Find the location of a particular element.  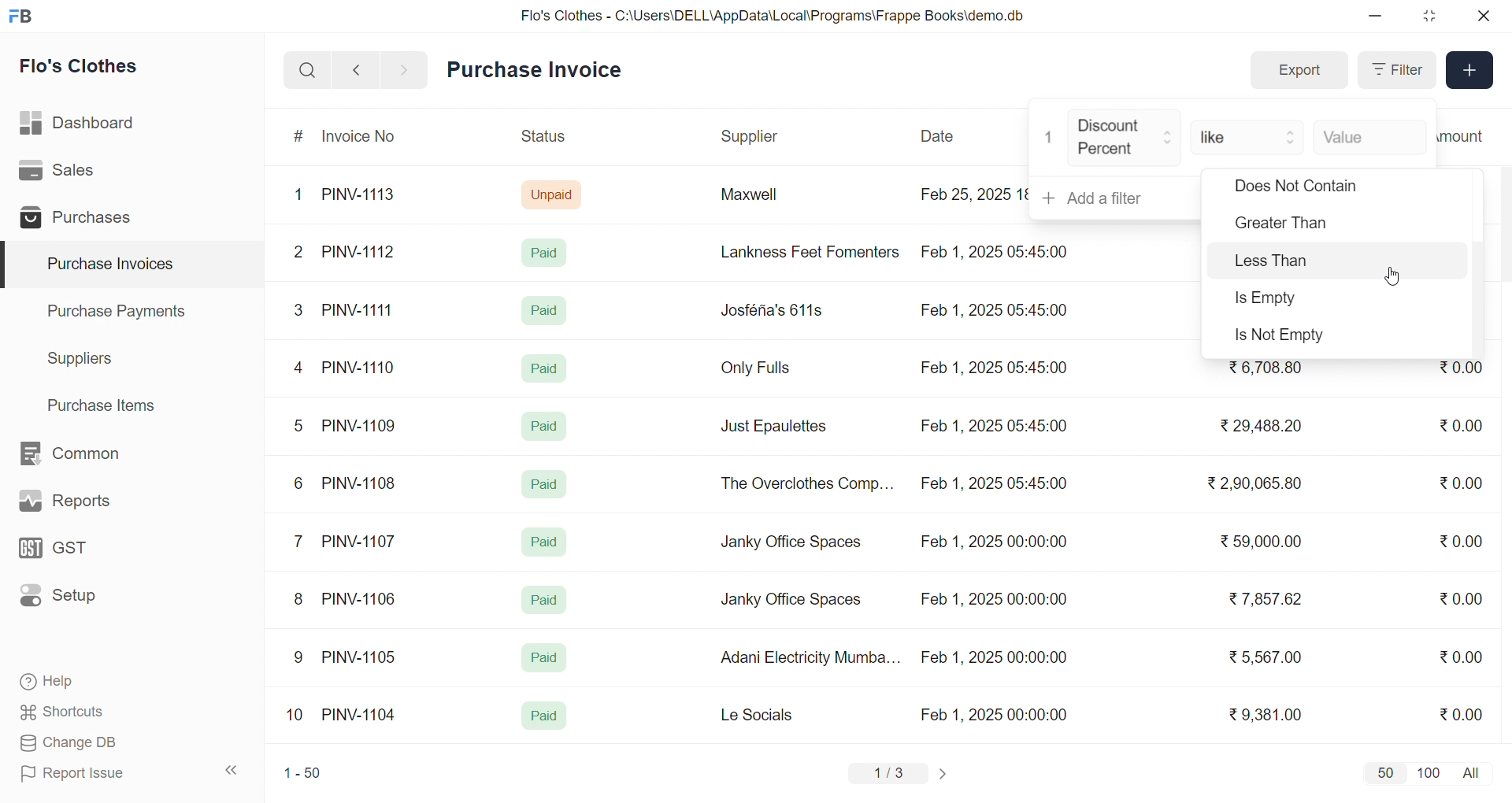

Le Socials is located at coordinates (770, 714).